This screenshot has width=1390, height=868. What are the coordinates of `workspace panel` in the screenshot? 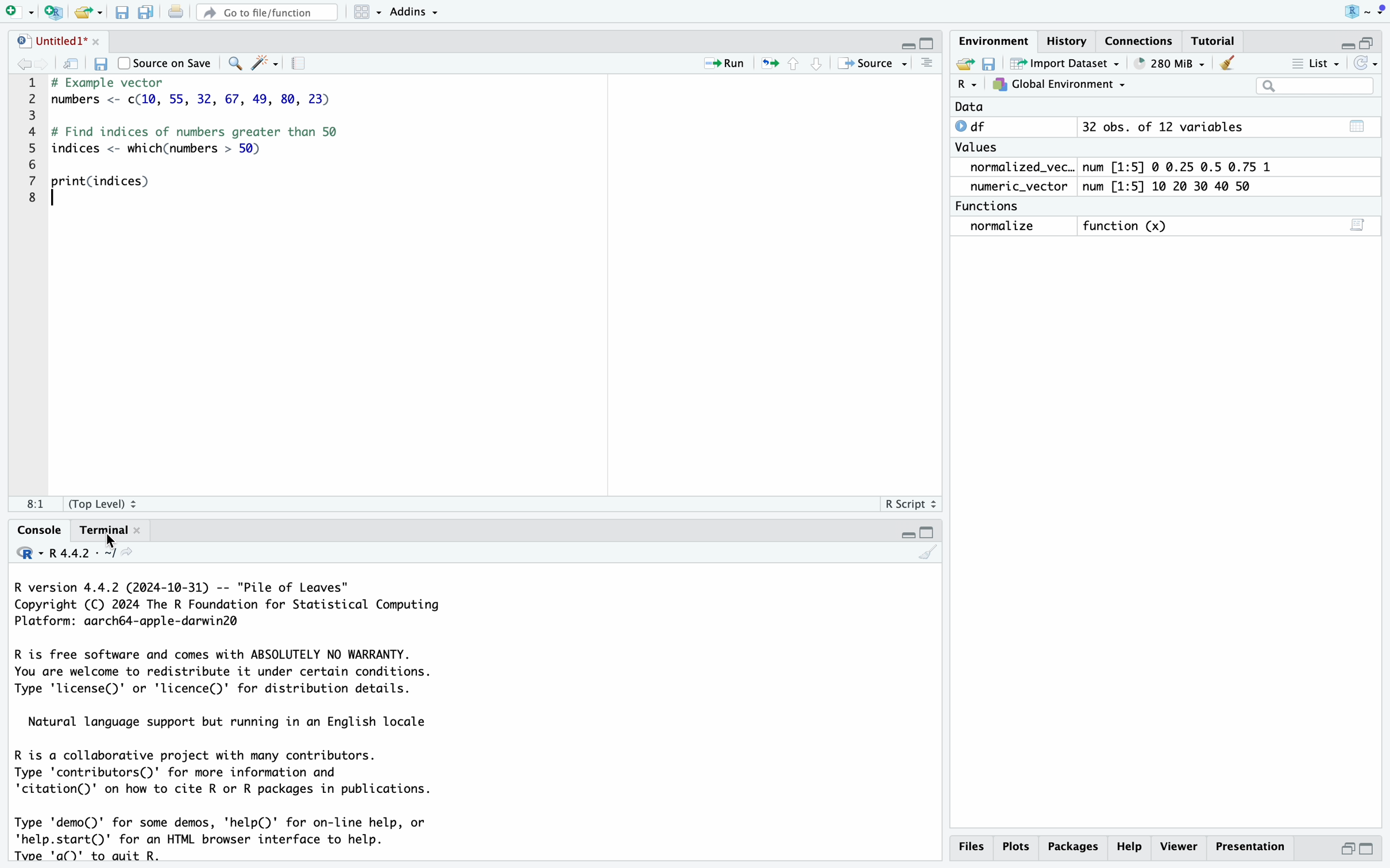 It's located at (362, 12).